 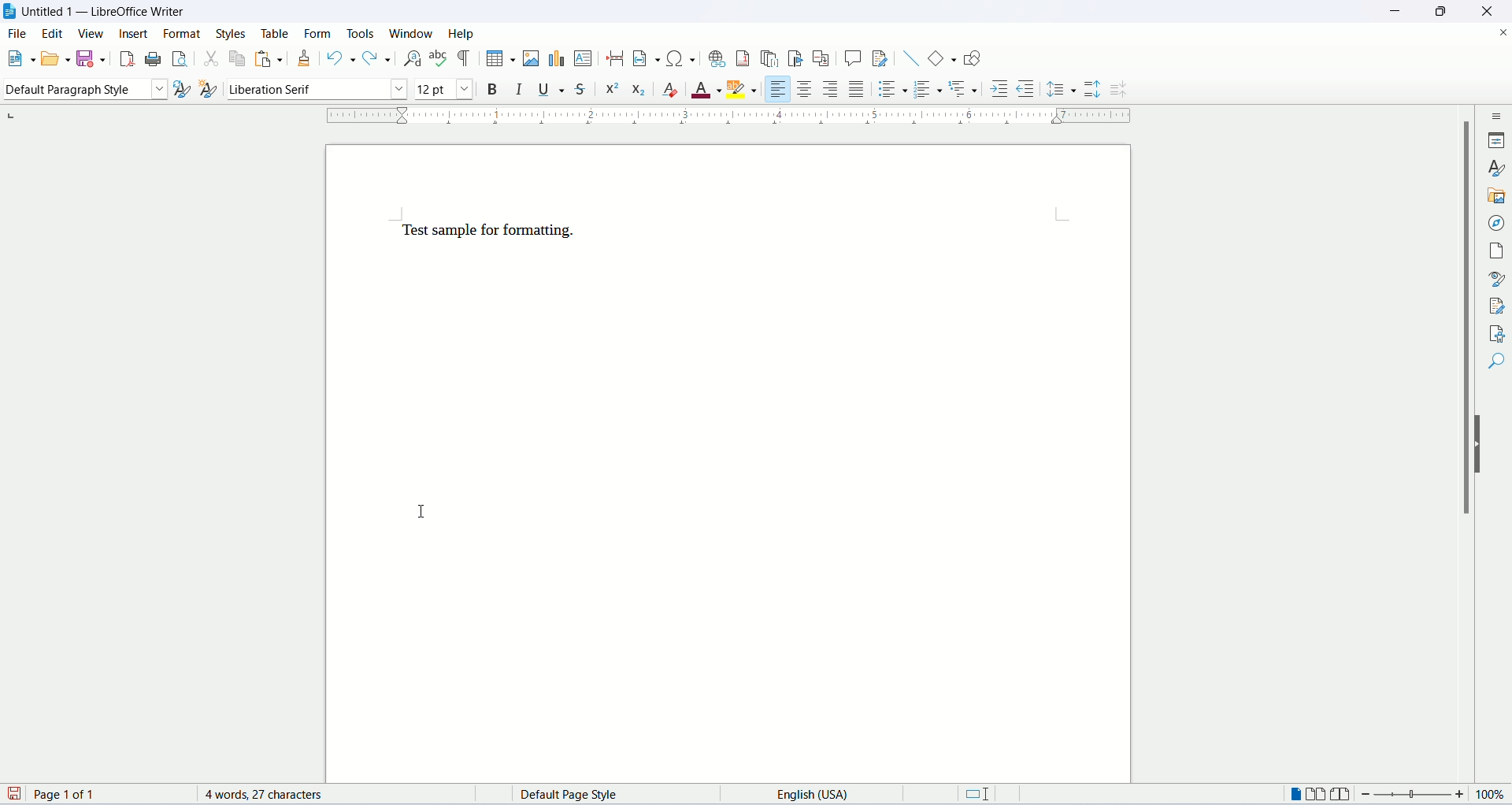 I want to click on page break, so click(x=615, y=59).